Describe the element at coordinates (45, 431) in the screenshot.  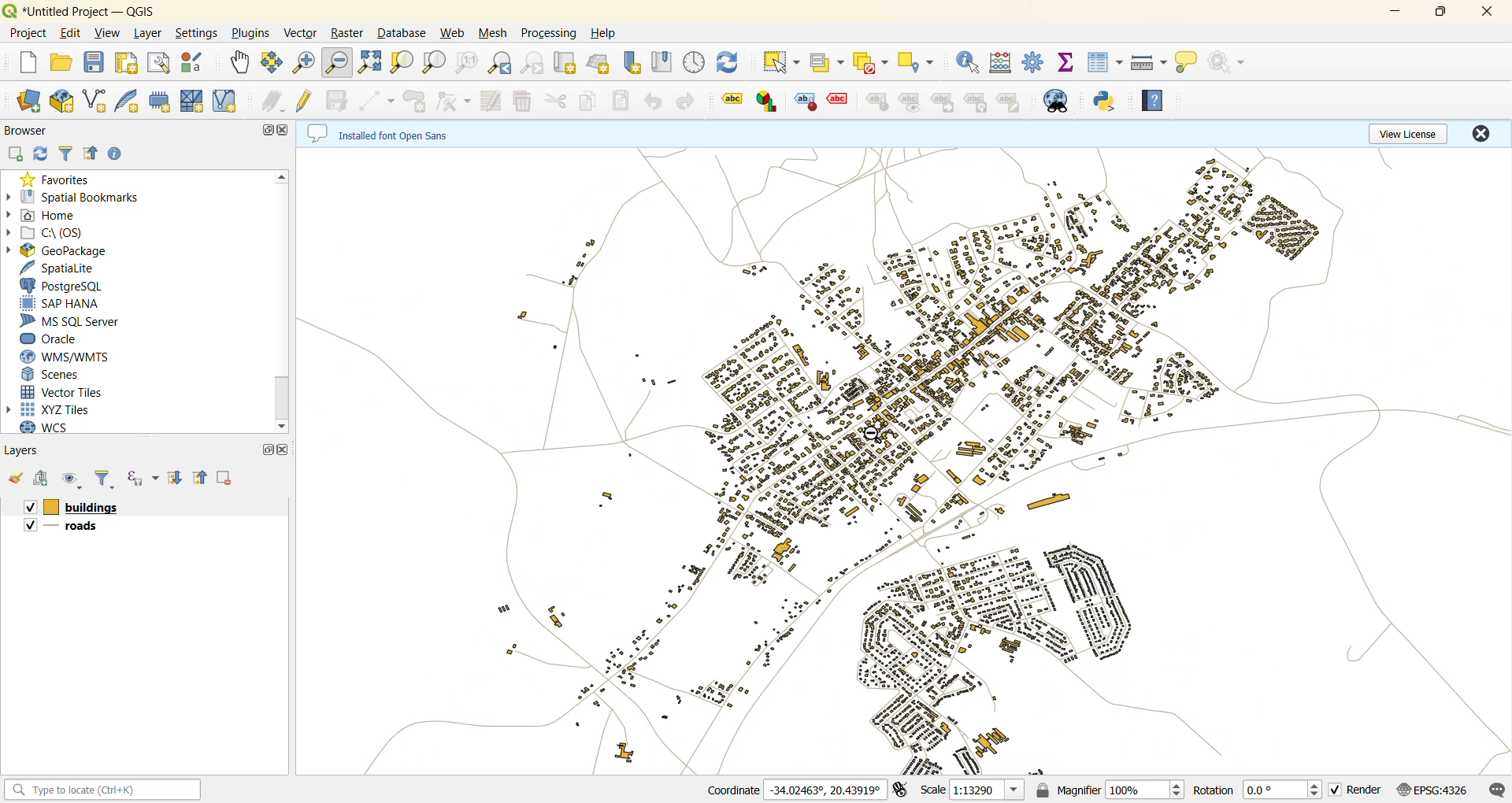
I see `wcs` at that location.